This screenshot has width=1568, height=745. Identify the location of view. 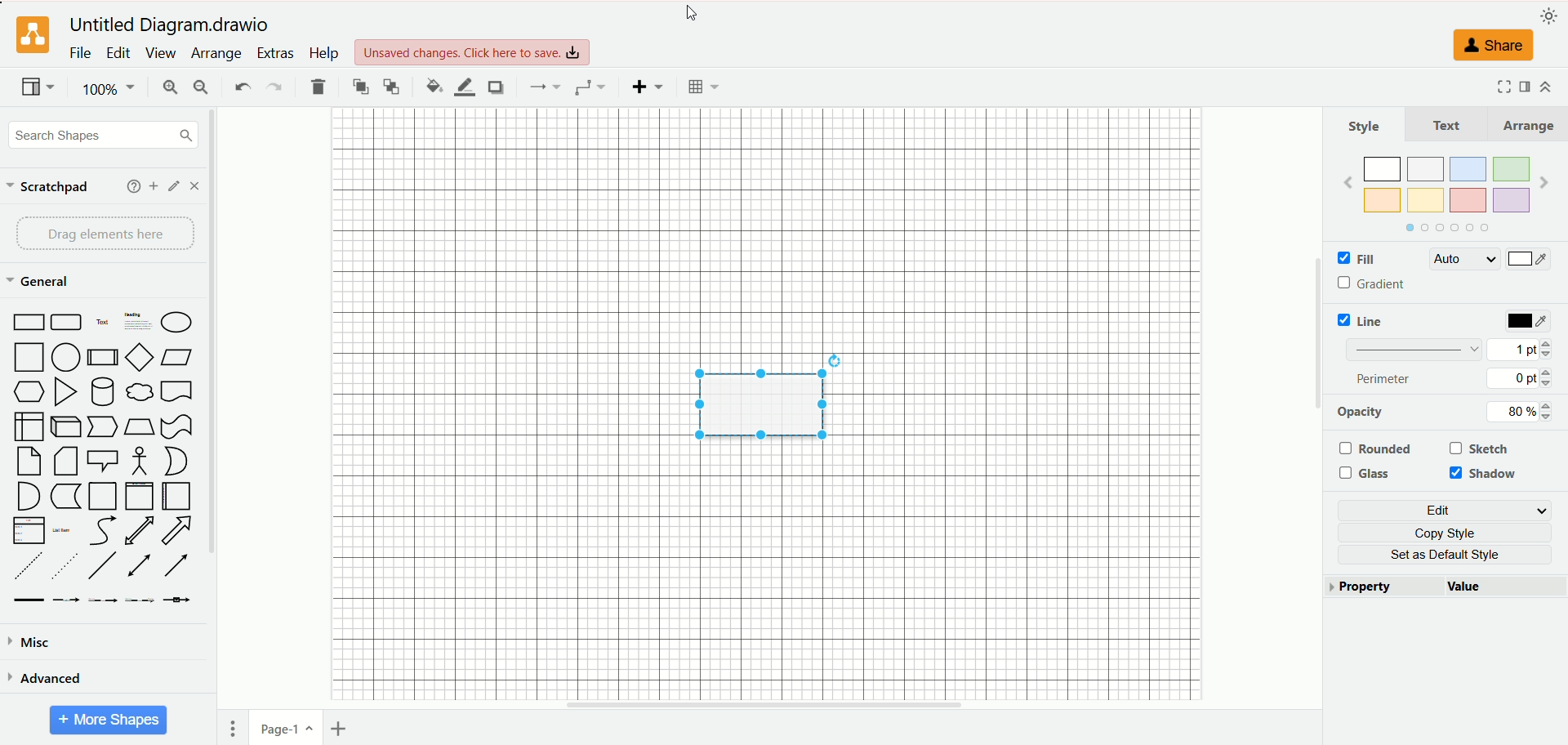
(159, 53).